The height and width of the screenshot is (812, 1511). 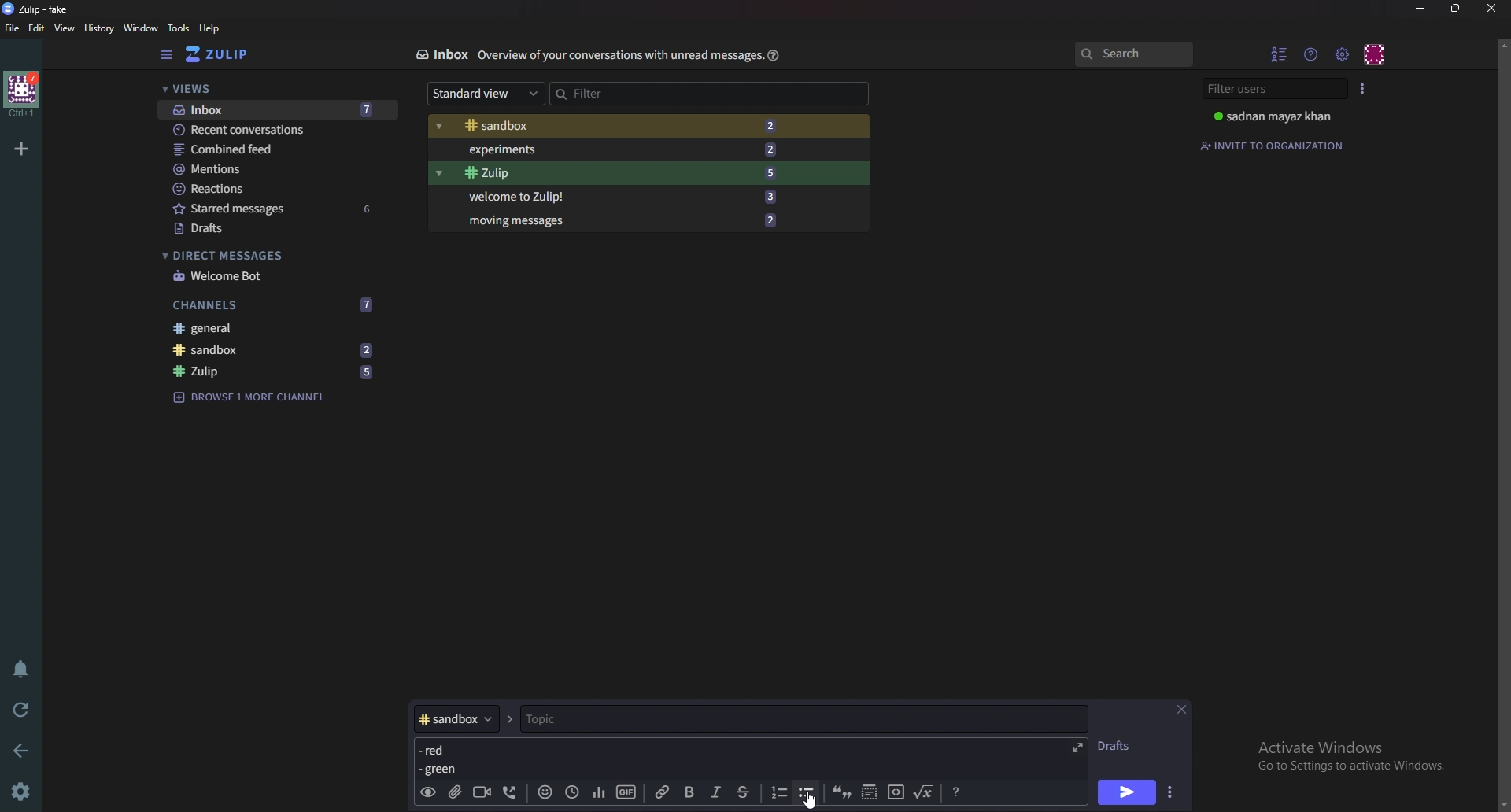 What do you see at coordinates (774, 54) in the screenshot?
I see `Help` at bounding box center [774, 54].